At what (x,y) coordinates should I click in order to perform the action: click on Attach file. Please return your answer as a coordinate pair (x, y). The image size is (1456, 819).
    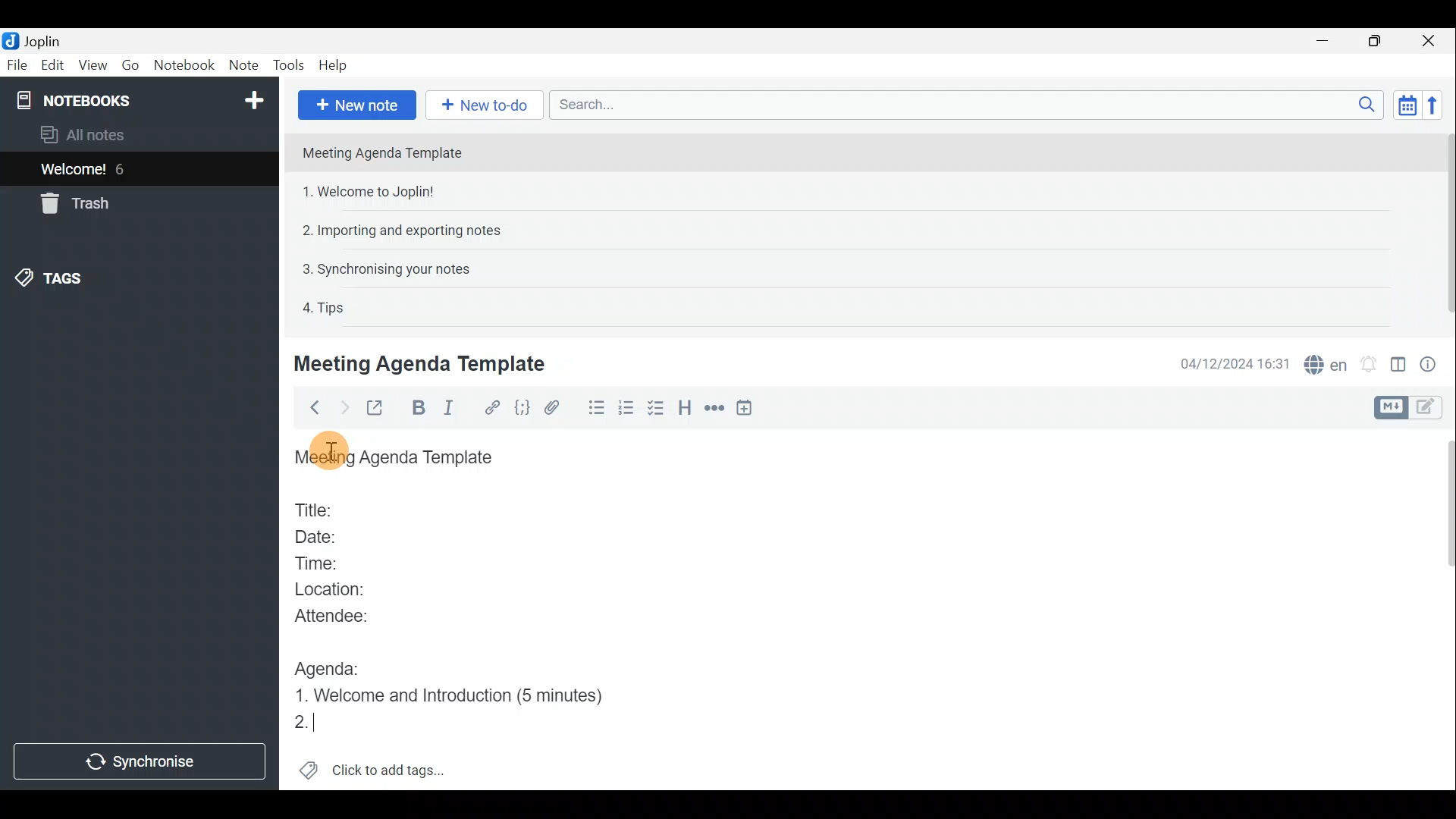
    Looking at the image, I should click on (559, 408).